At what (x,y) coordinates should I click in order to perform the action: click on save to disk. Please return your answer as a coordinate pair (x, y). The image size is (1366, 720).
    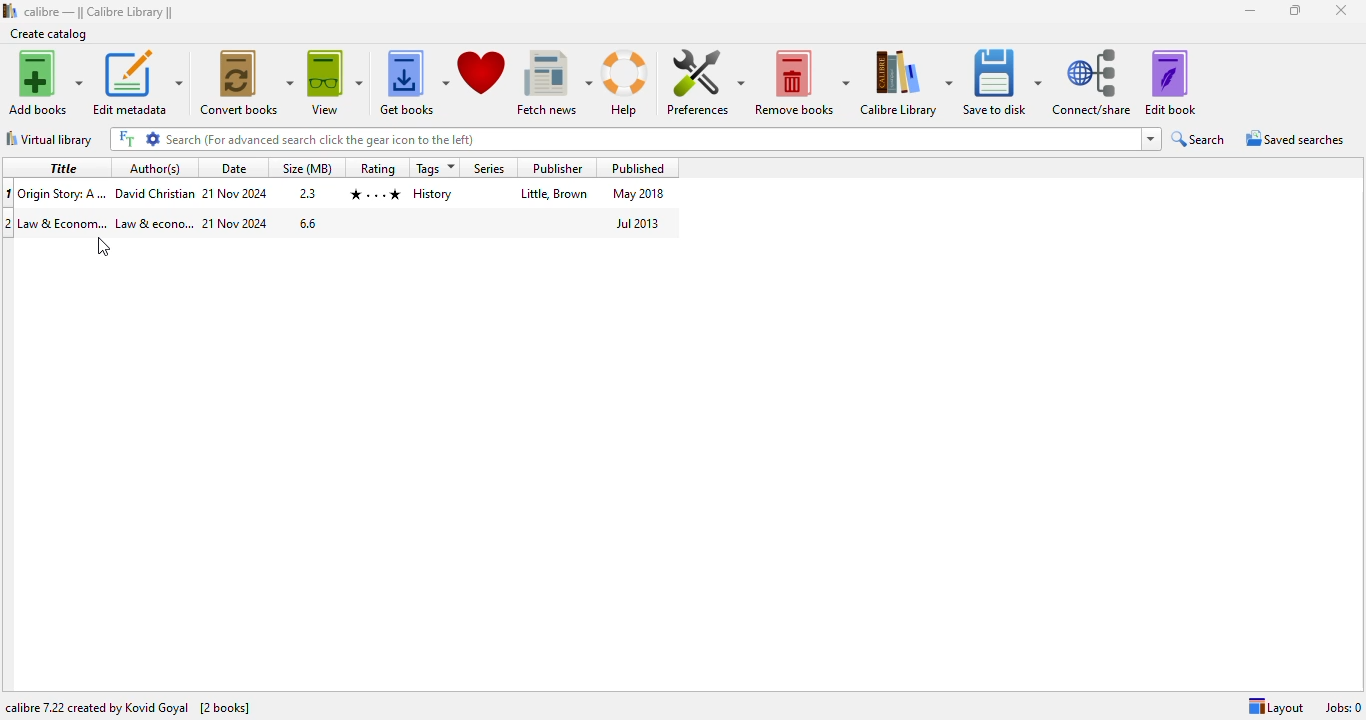
    Looking at the image, I should click on (1002, 81).